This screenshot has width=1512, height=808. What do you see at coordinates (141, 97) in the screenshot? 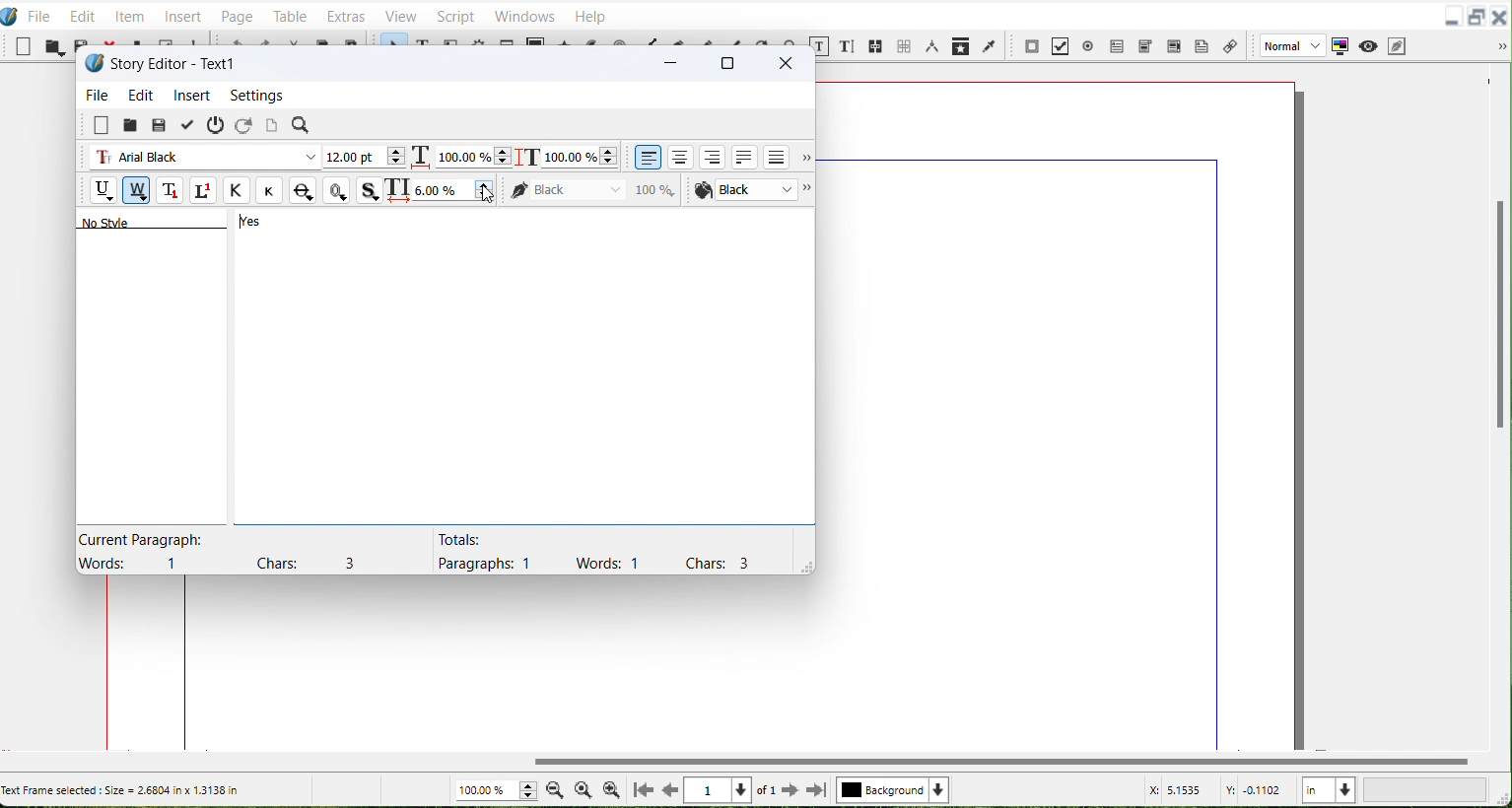
I see `Edit` at bounding box center [141, 97].